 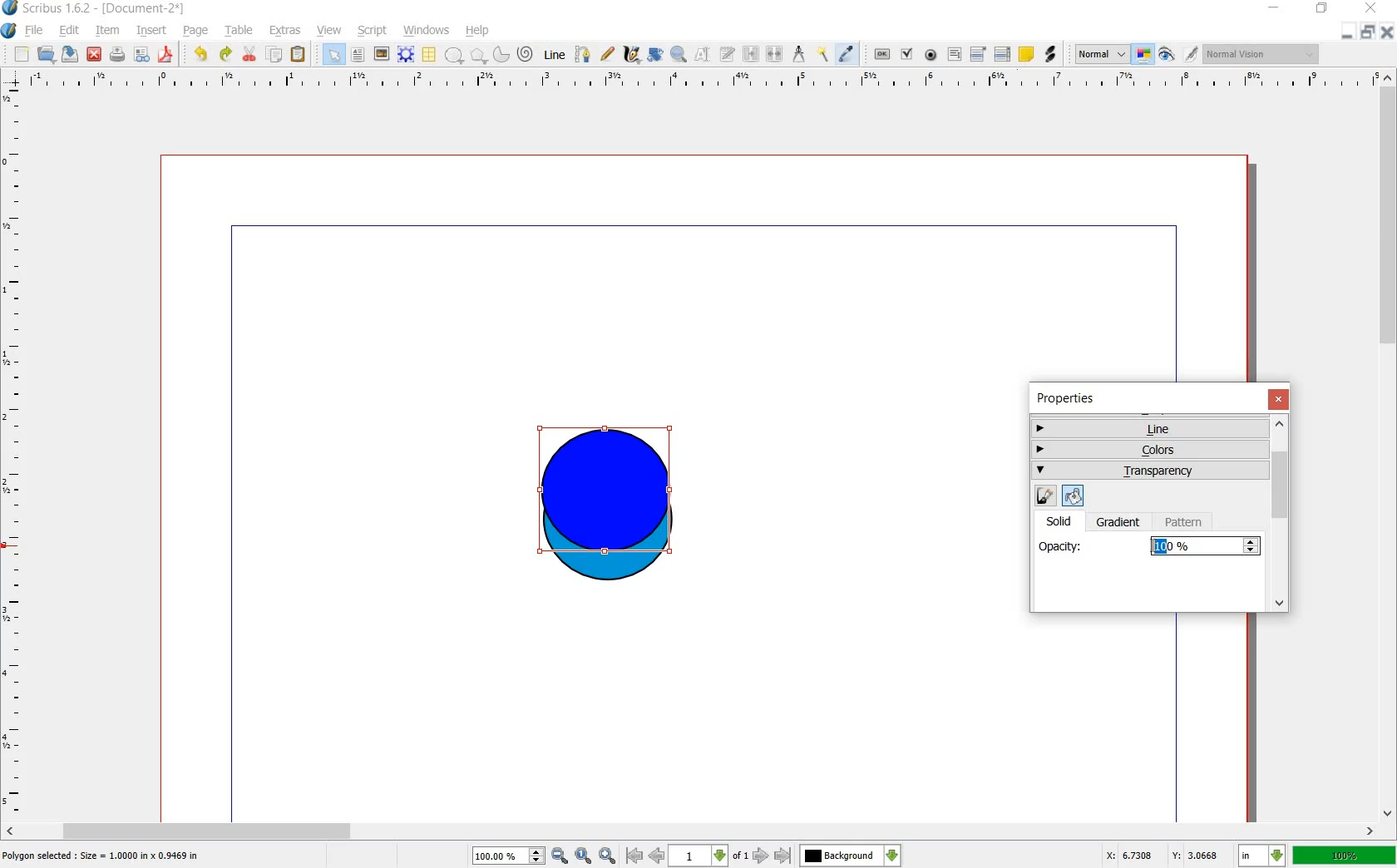 What do you see at coordinates (1151, 471) in the screenshot?
I see `transparency` at bounding box center [1151, 471].